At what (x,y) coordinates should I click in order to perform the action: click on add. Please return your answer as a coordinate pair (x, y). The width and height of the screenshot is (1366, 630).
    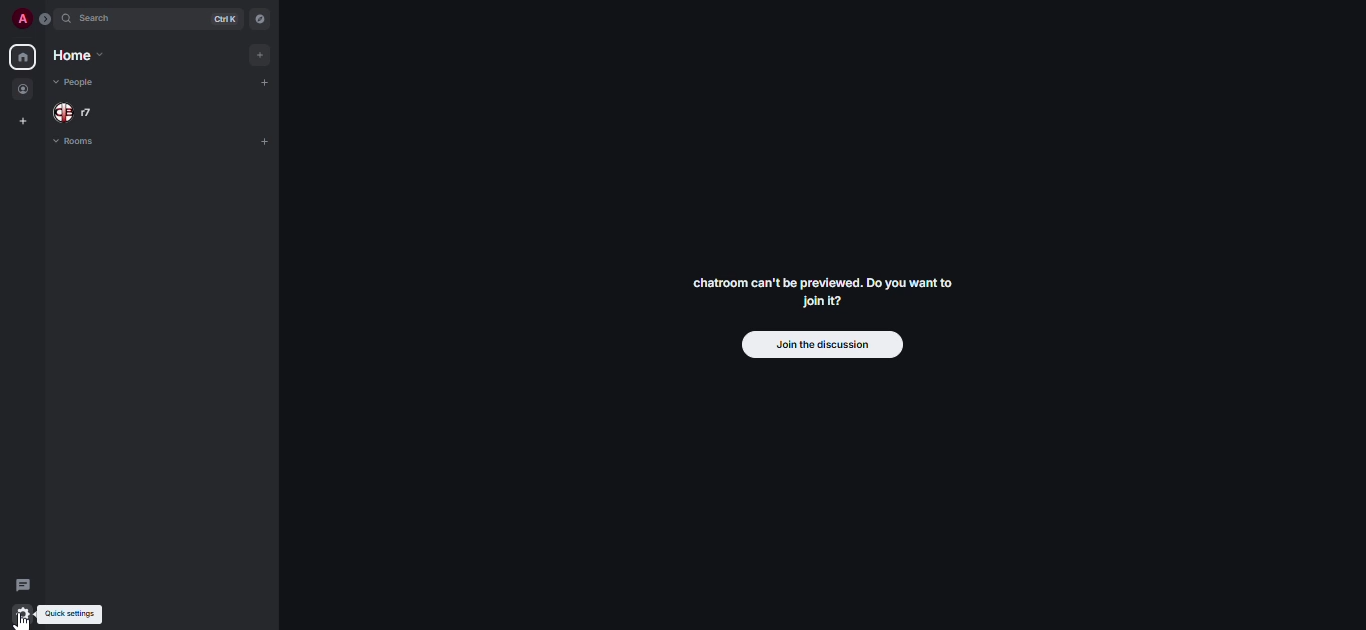
    Looking at the image, I should click on (266, 54).